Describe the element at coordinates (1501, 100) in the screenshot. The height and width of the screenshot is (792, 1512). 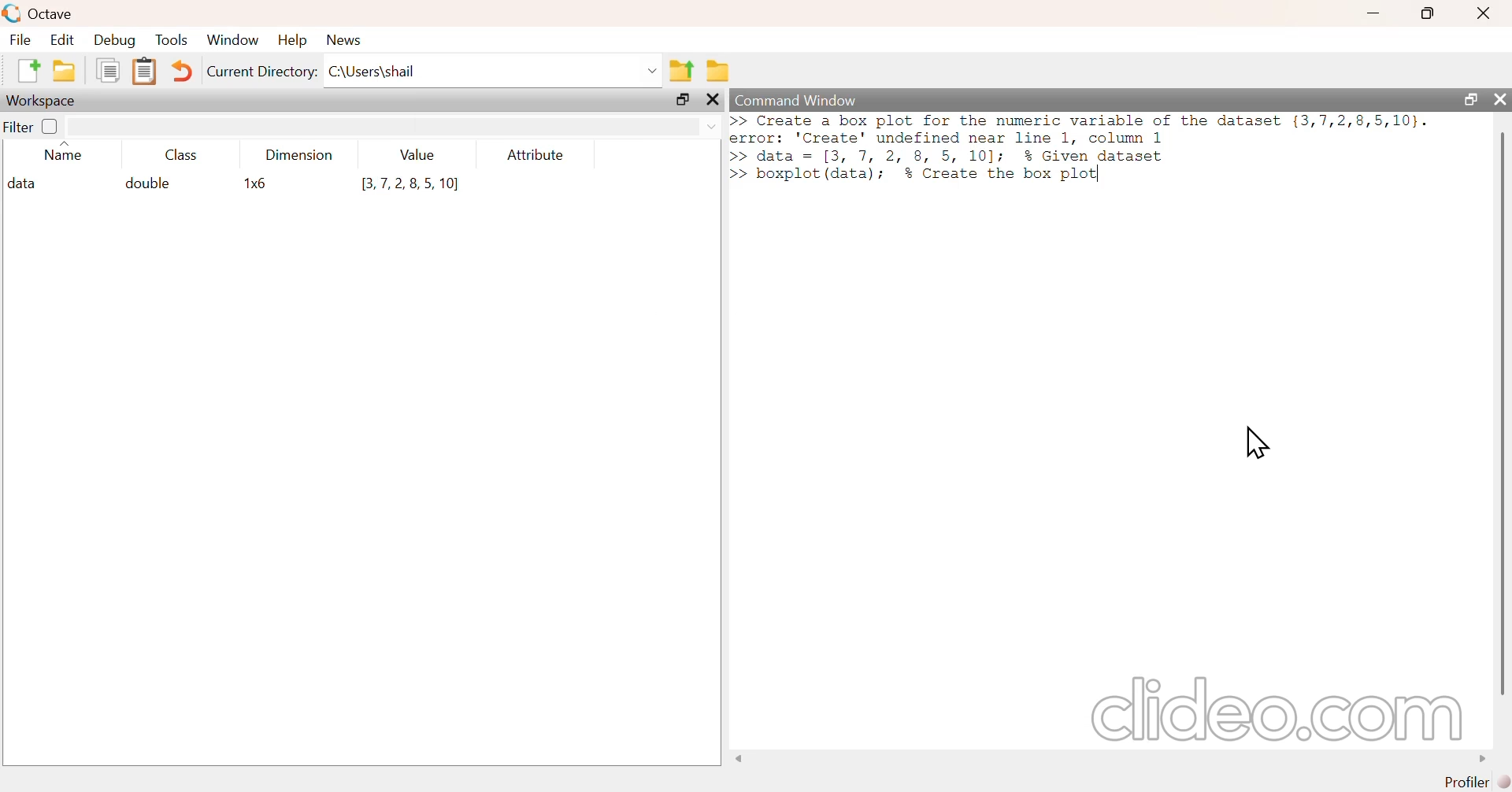
I see `close` at that location.